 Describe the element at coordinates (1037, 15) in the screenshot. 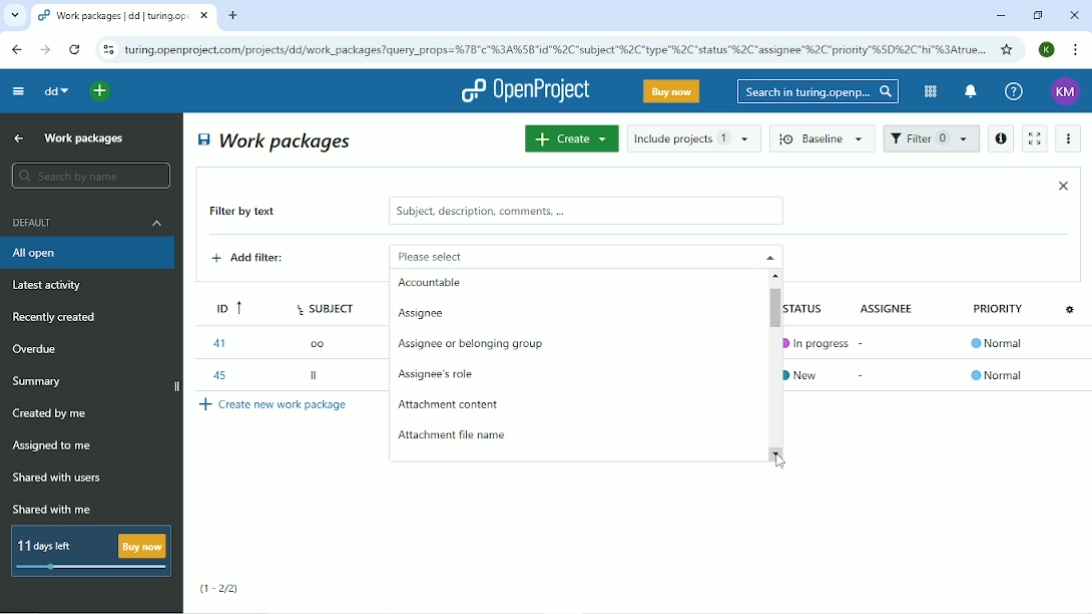

I see `Restore down` at that location.